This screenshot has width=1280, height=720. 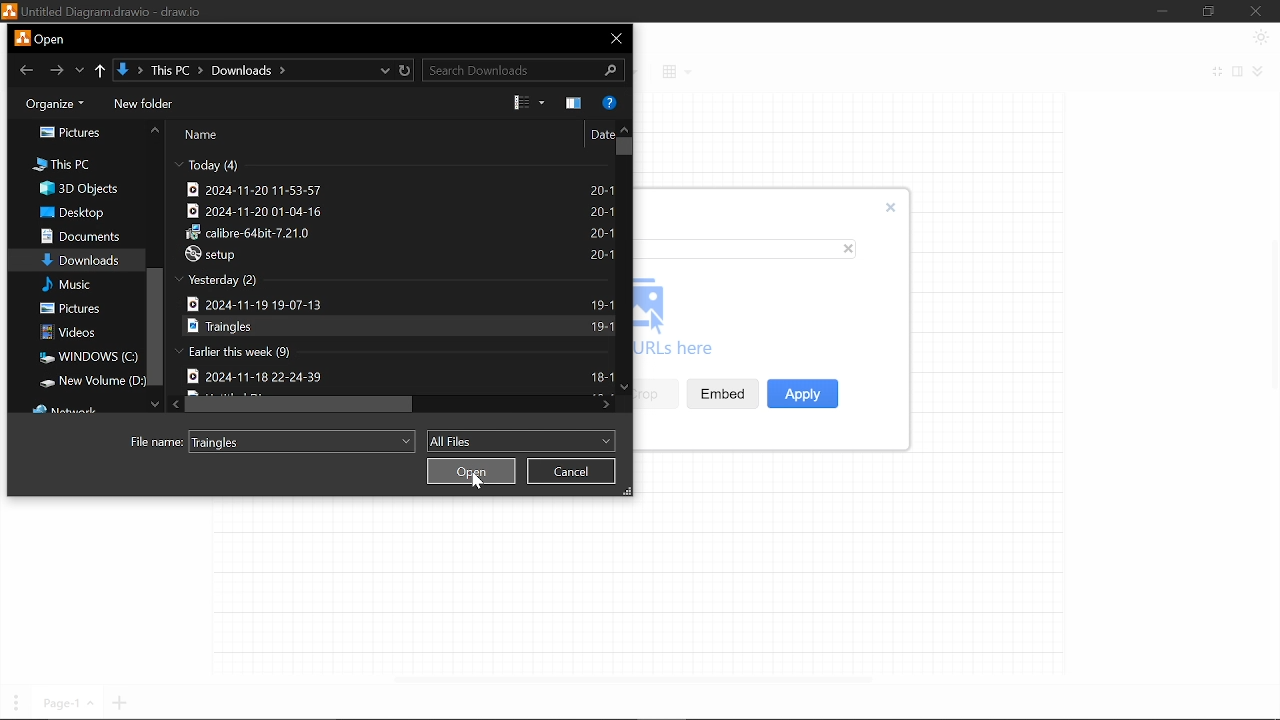 I want to click on Horizontal scrollbar for files in "Download", so click(x=298, y=404).